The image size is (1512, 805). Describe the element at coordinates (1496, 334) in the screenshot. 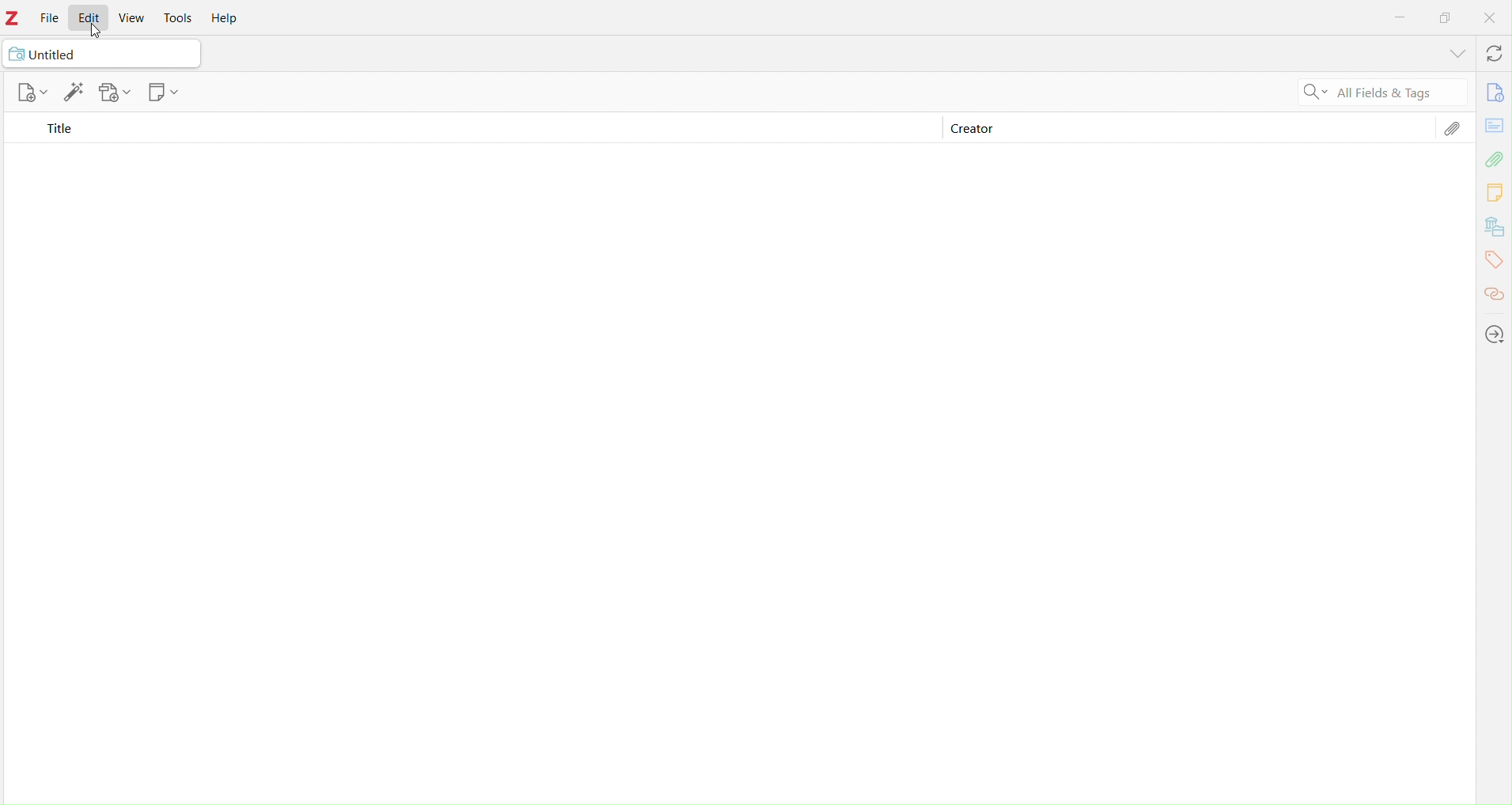

I see `Locate` at that location.